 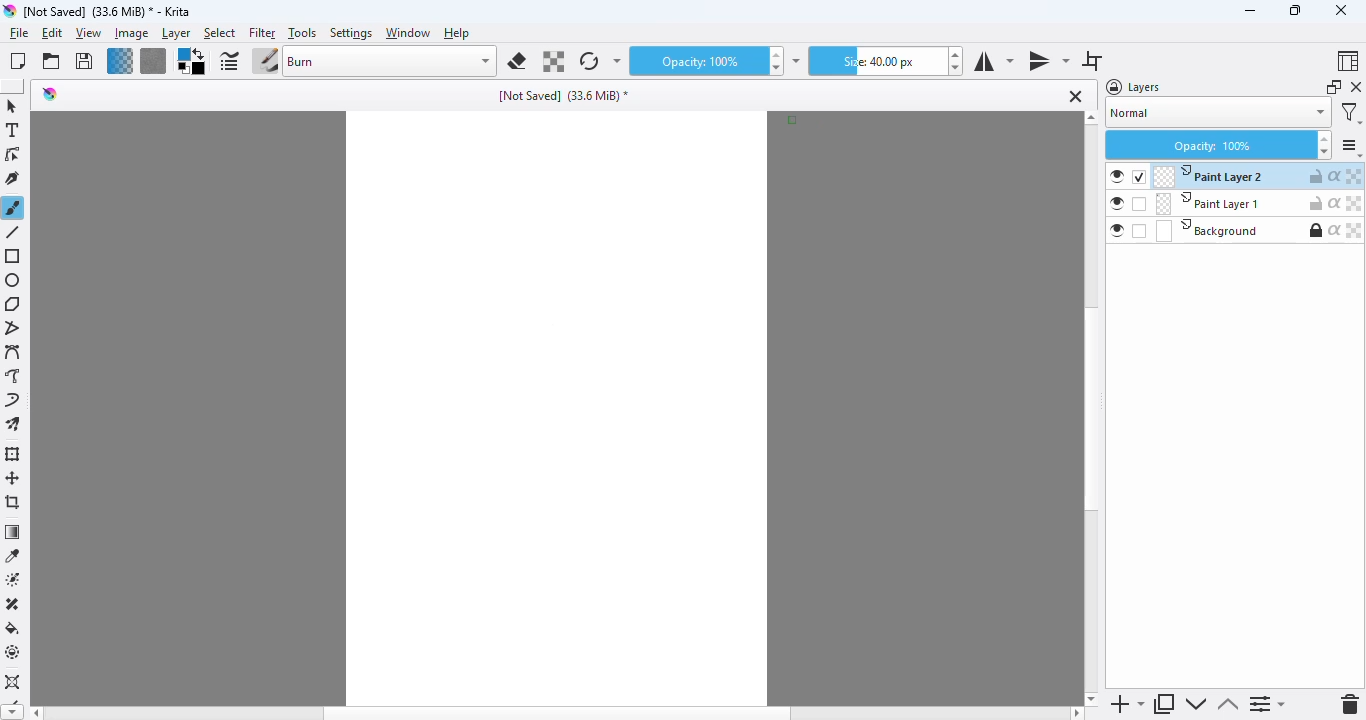 What do you see at coordinates (1315, 203) in the screenshot?
I see `unlocked` at bounding box center [1315, 203].